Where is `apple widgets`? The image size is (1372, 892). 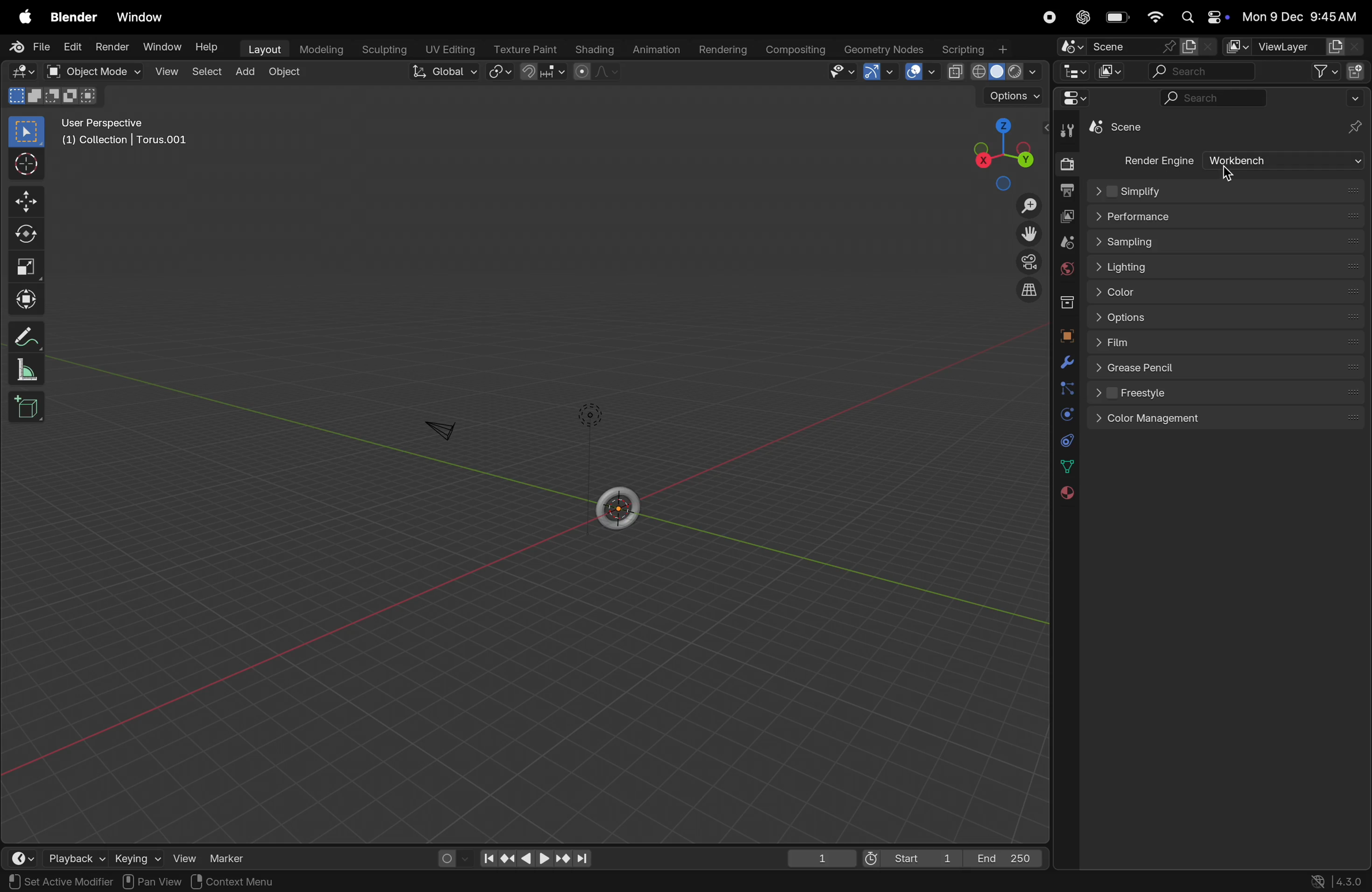 apple widgets is located at coordinates (1204, 16).